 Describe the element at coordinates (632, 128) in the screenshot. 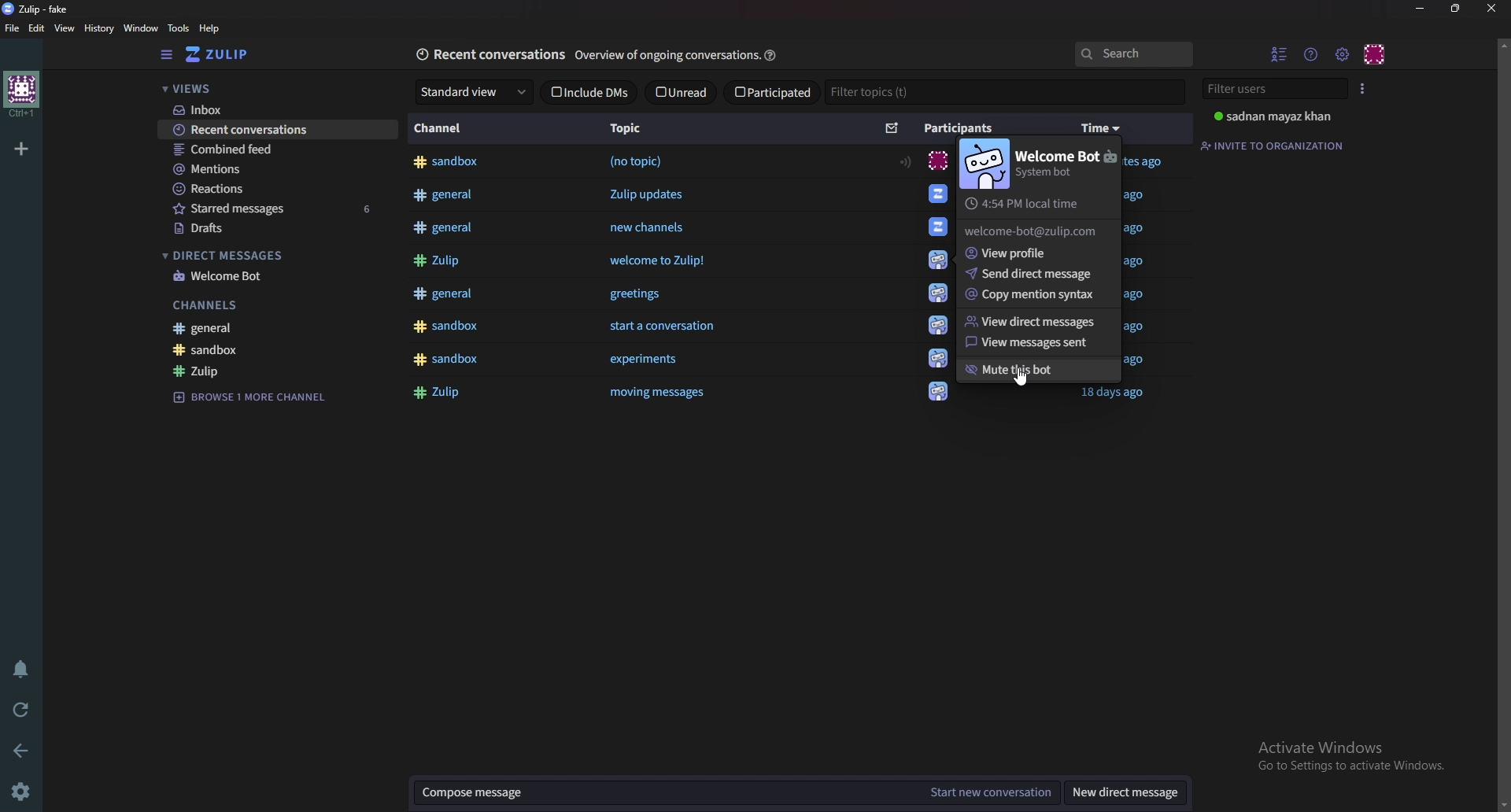

I see `Topic` at that location.